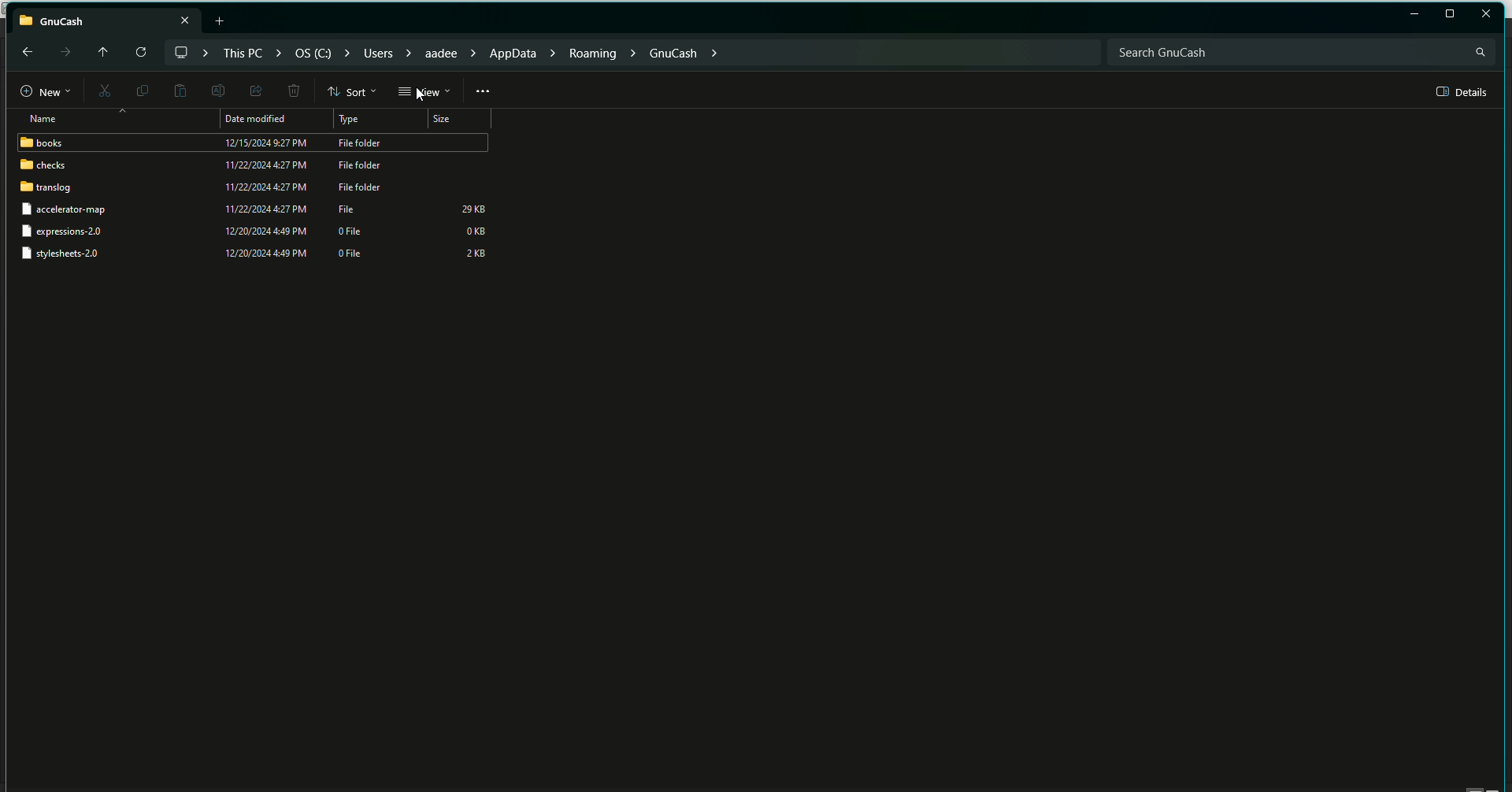 This screenshot has height=792, width=1512. Describe the element at coordinates (354, 246) in the screenshot. I see `0File` at that location.